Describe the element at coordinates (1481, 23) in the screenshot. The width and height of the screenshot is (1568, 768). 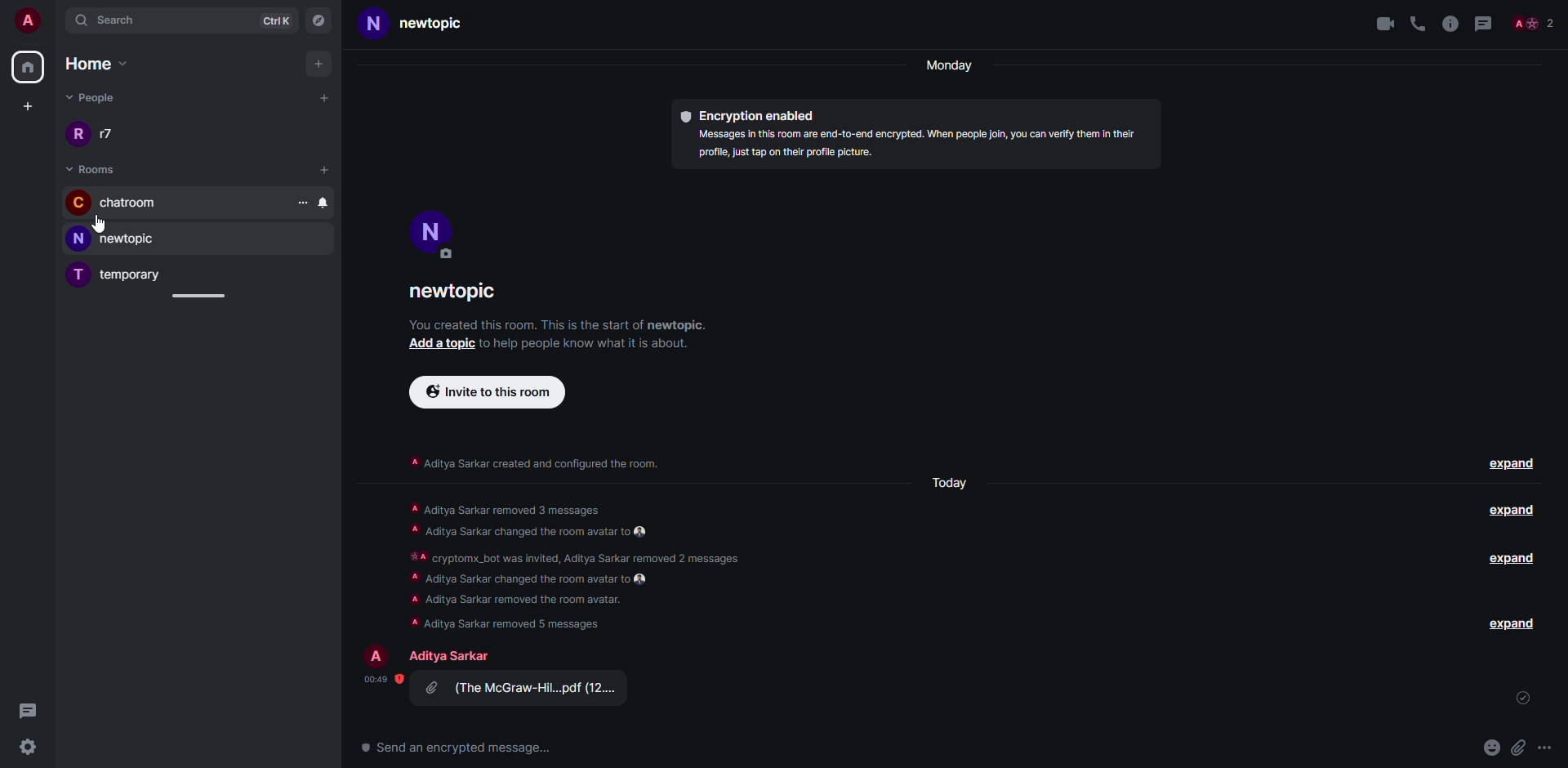
I see `threads` at that location.